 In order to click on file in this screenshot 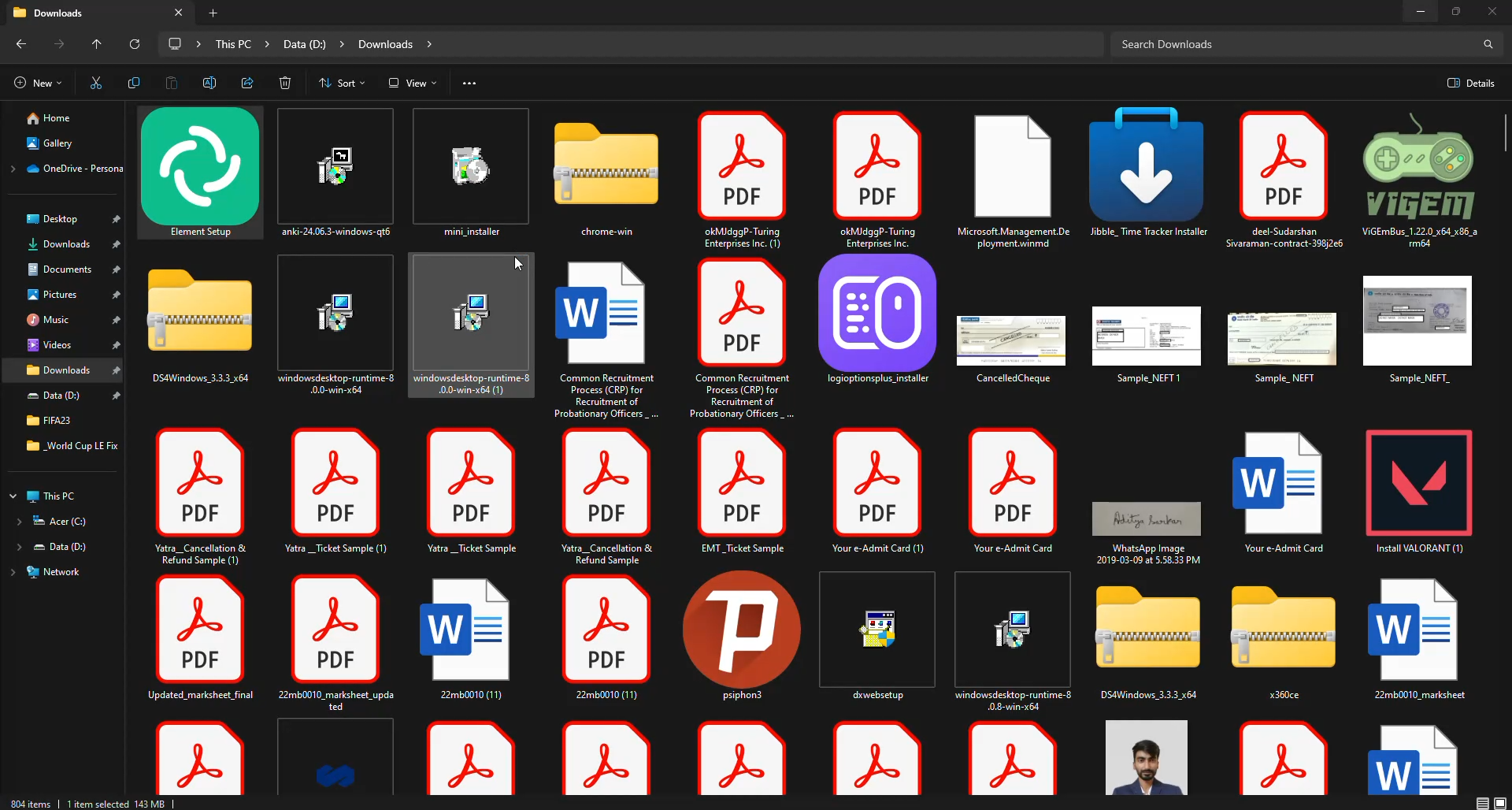, I will do `click(1149, 756)`.